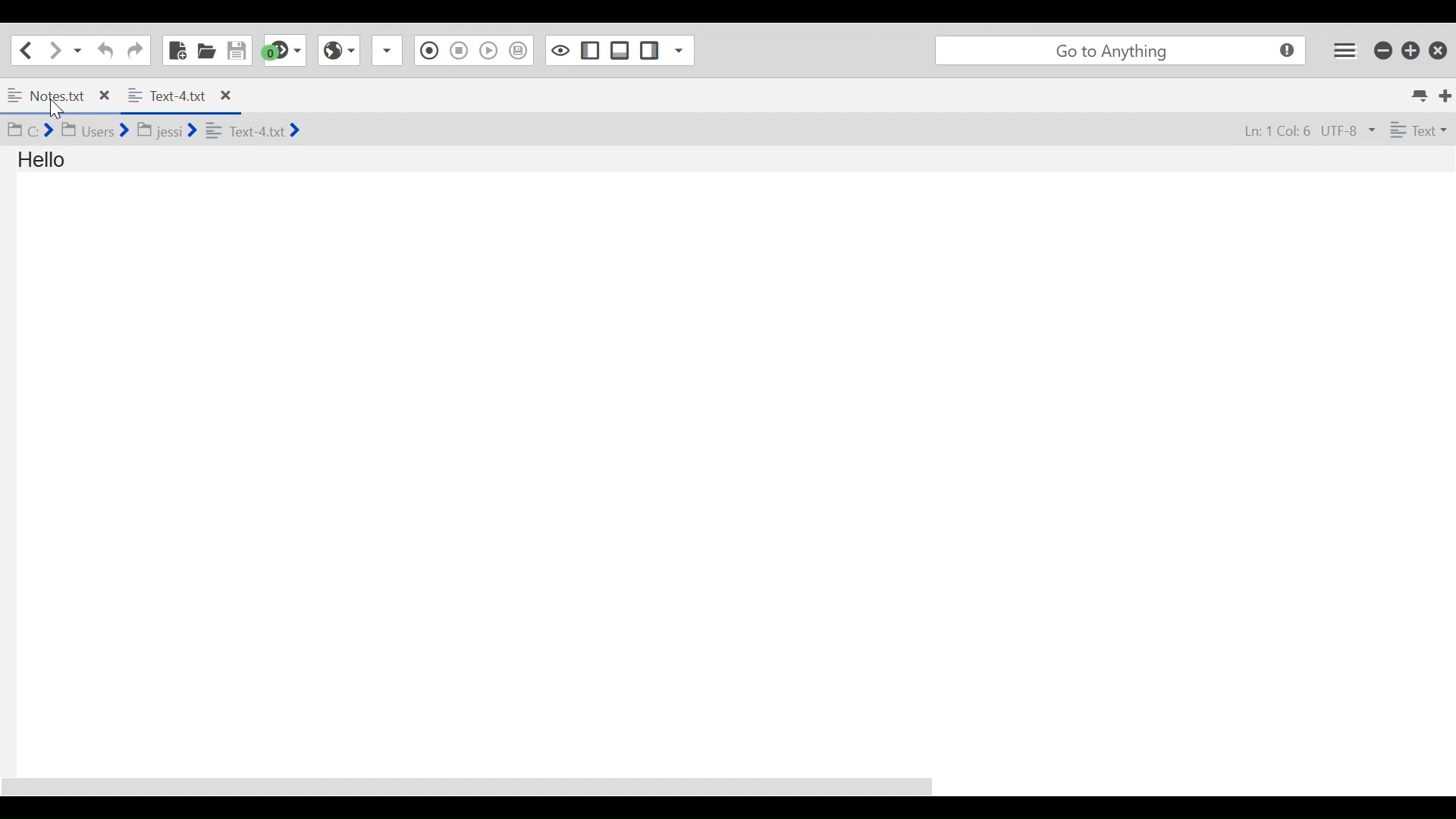  I want to click on List all tabs, so click(1418, 93).